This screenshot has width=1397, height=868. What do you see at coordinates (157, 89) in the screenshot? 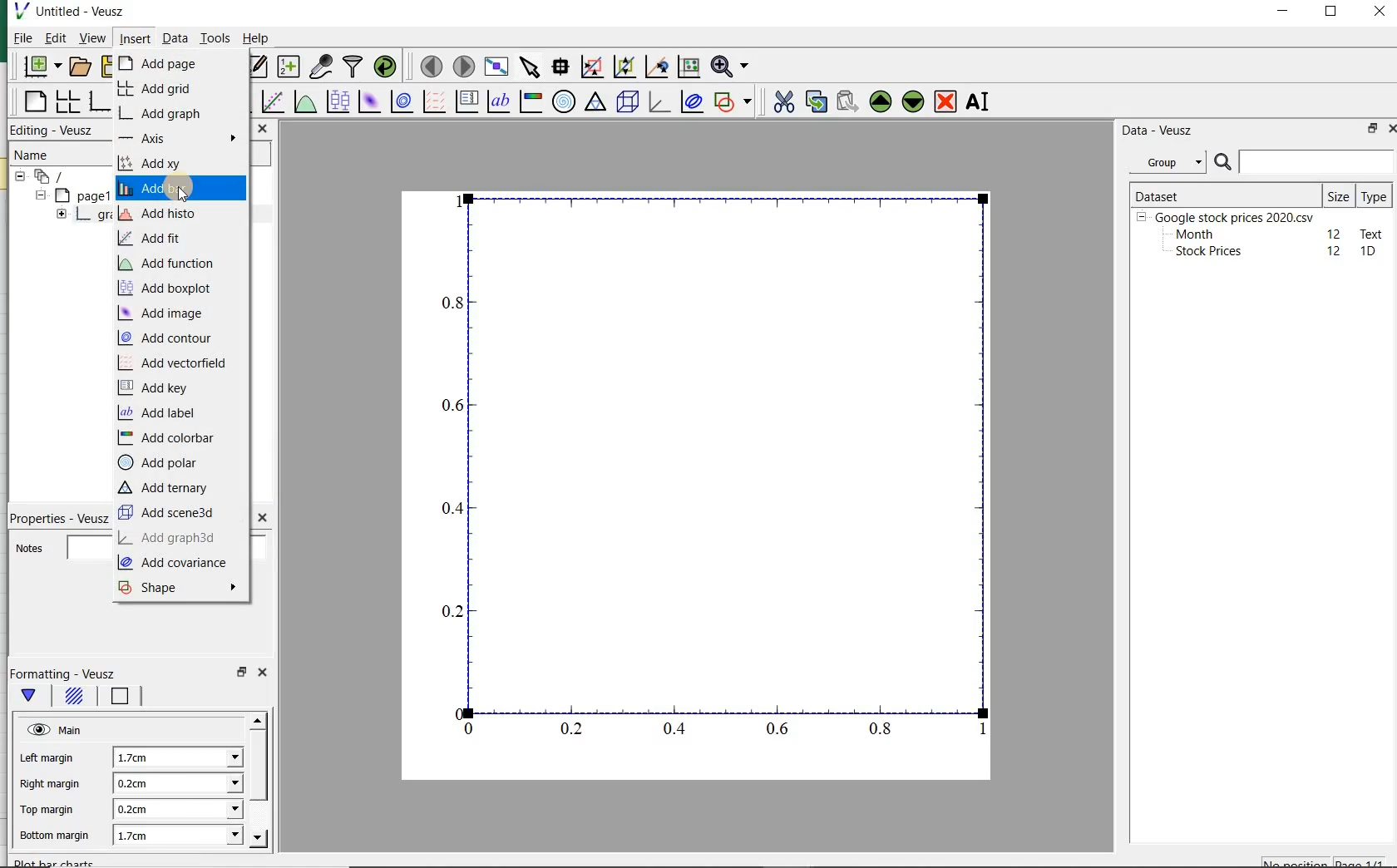
I see `add grid` at bounding box center [157, 89].